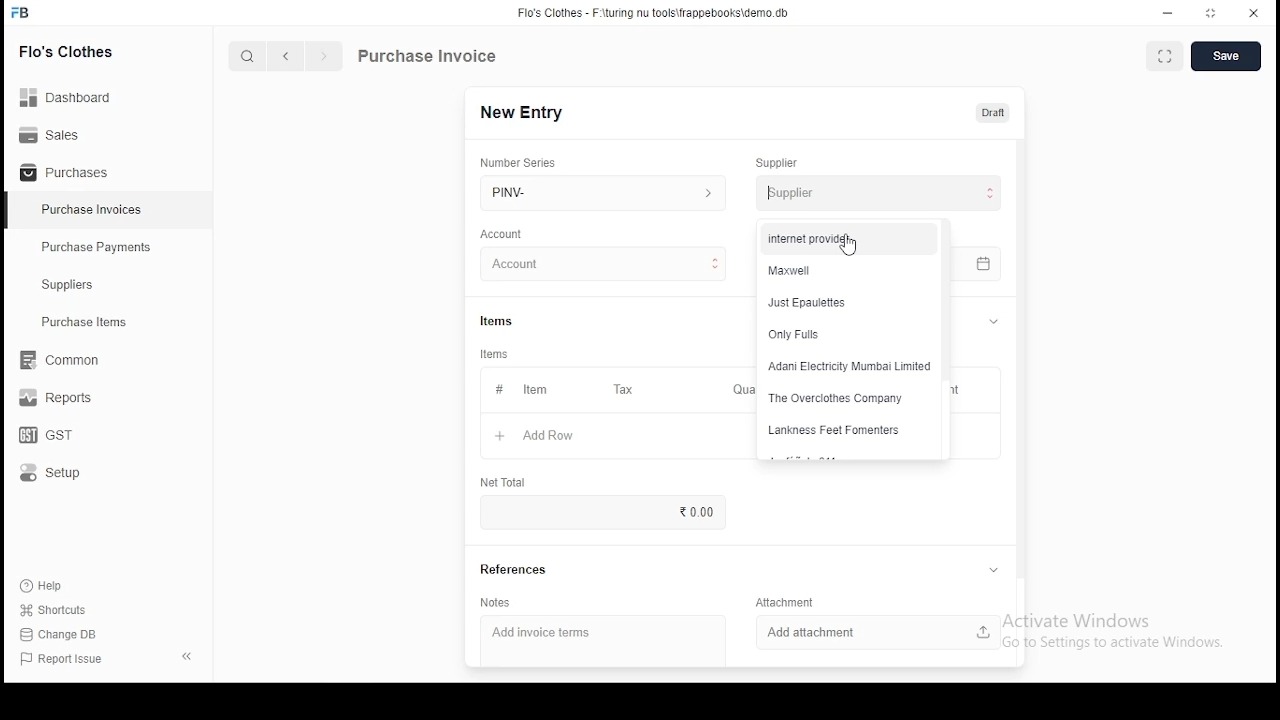  What do you see at coordinates (1170, 12) in the screenshot?
I see `minimize` at bounding box center [1170, 12].